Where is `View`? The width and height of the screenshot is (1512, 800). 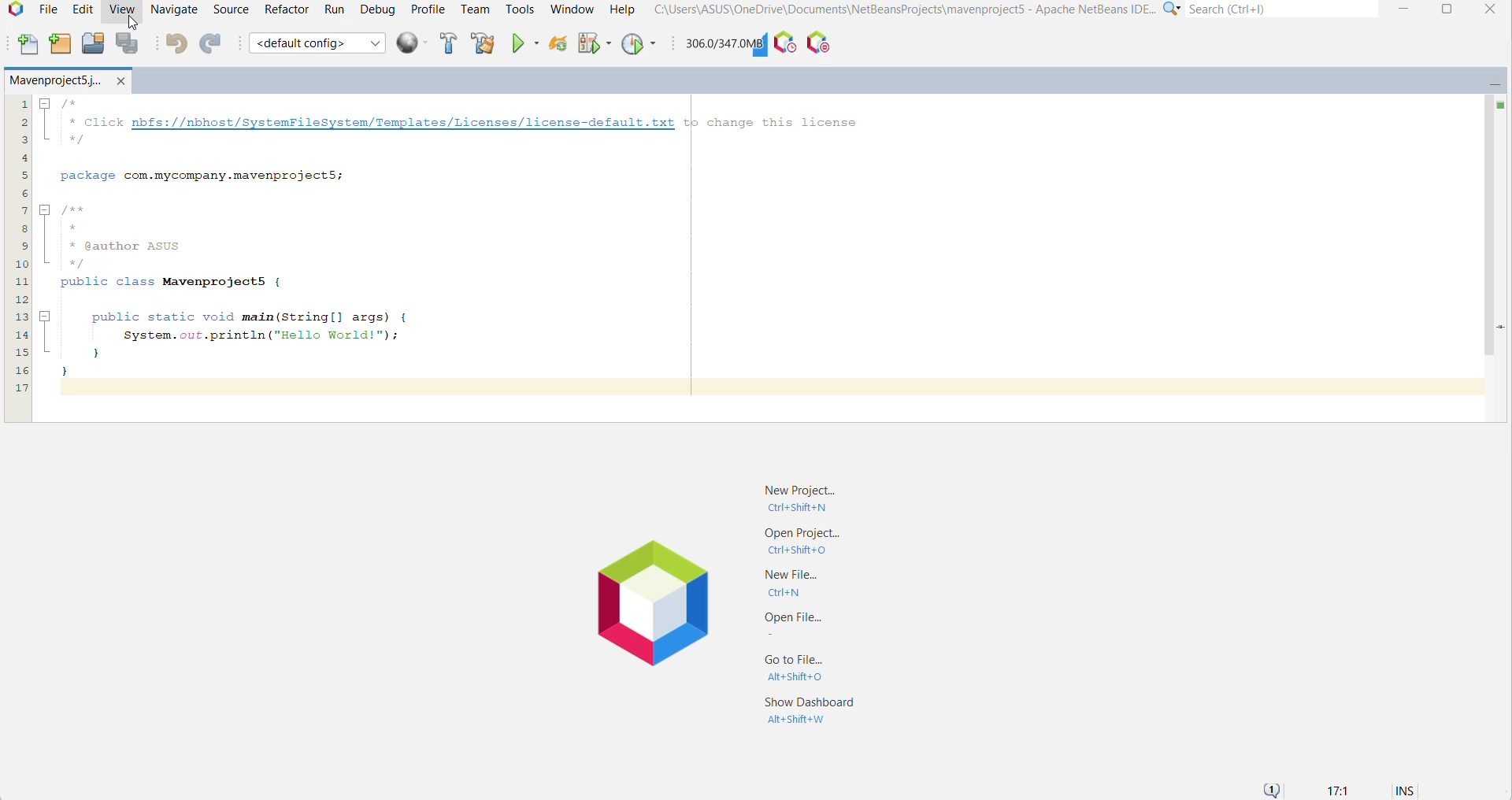 View is located at coordinates (122, 12).